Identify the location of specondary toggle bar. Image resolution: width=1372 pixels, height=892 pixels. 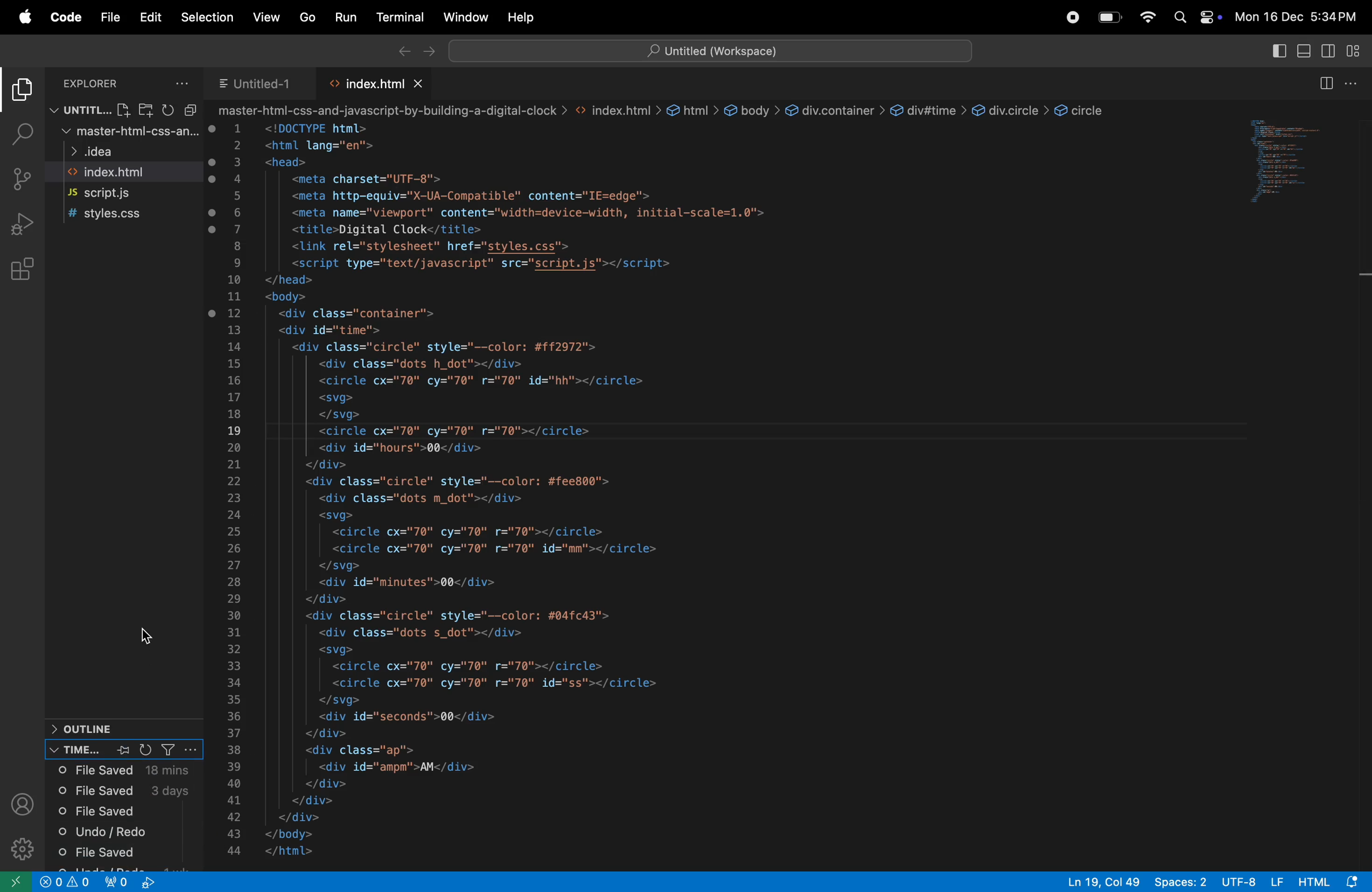
(1329, 51).